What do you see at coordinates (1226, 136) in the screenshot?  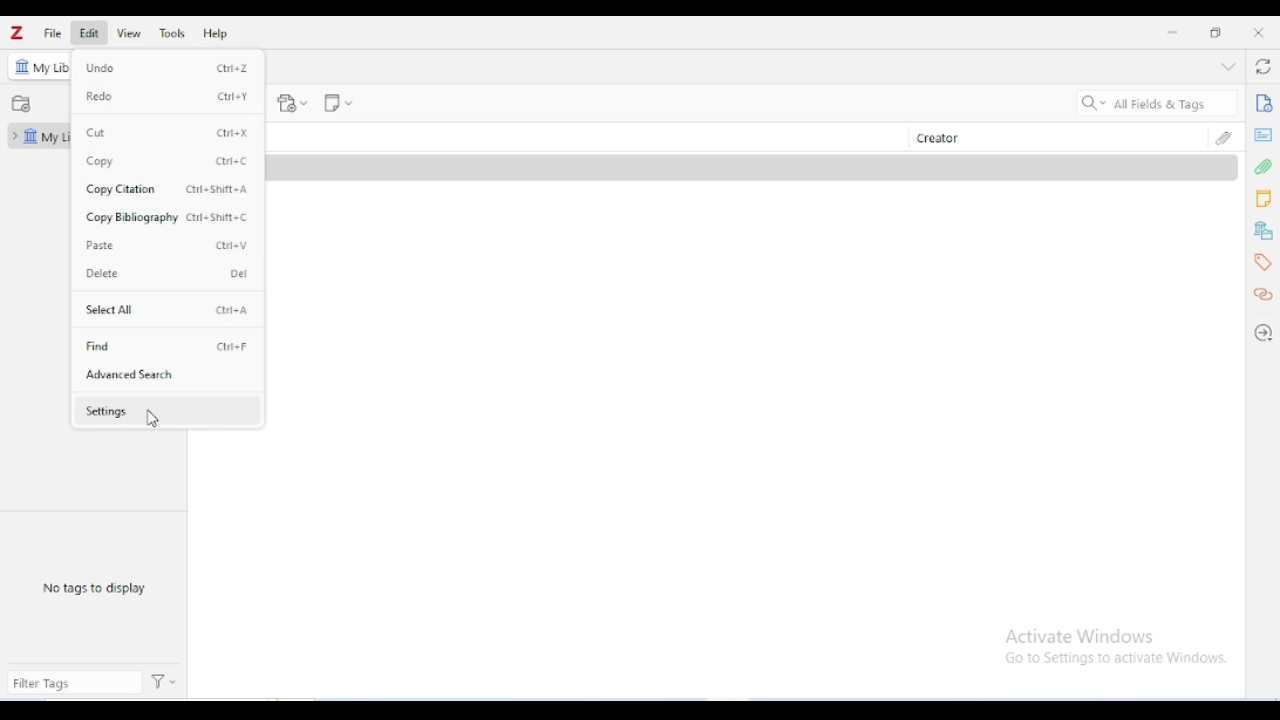 I see `attachments` at bounding box center [1226, 136].